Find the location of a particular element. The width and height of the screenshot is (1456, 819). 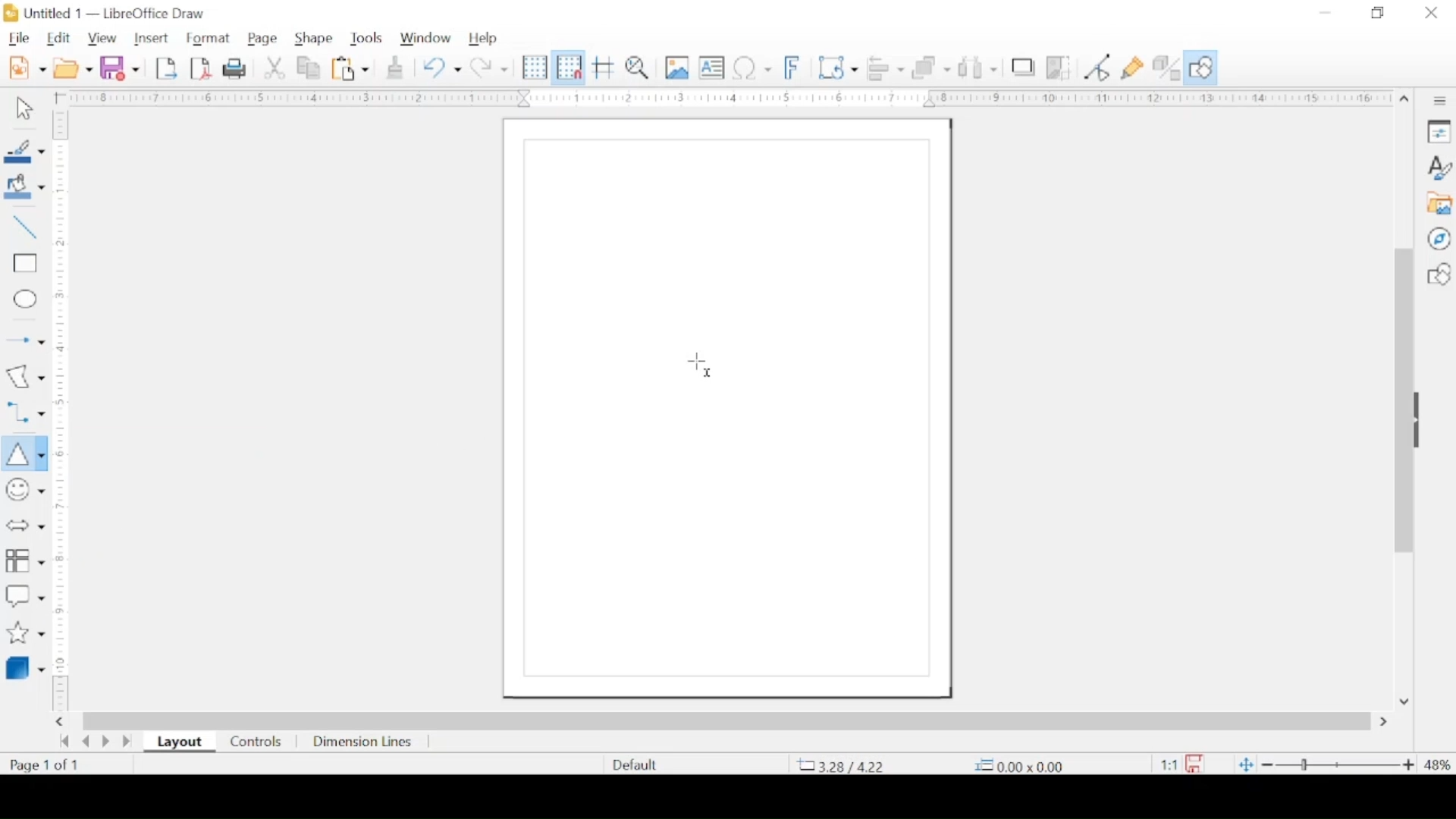

align is located at coordinates (887, 67).